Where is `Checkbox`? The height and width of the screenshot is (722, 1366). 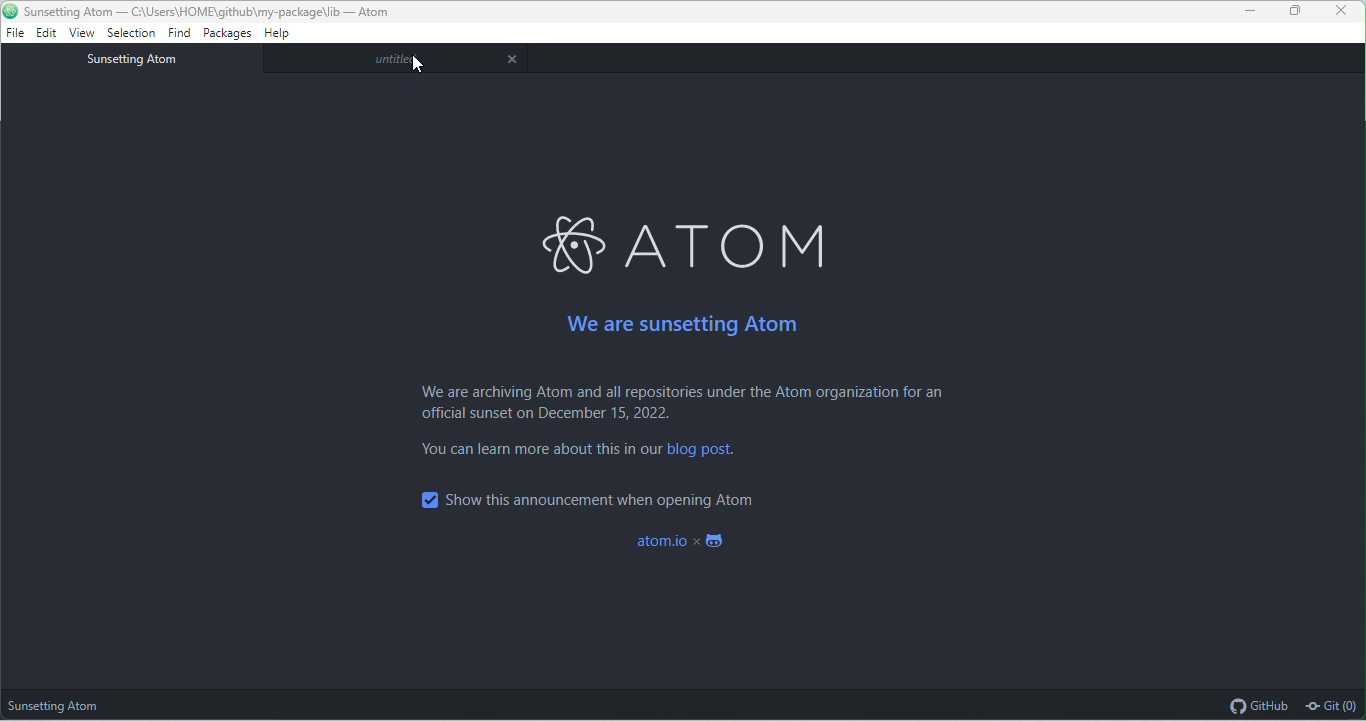
Checkbox is located at coordinates (426, 499).